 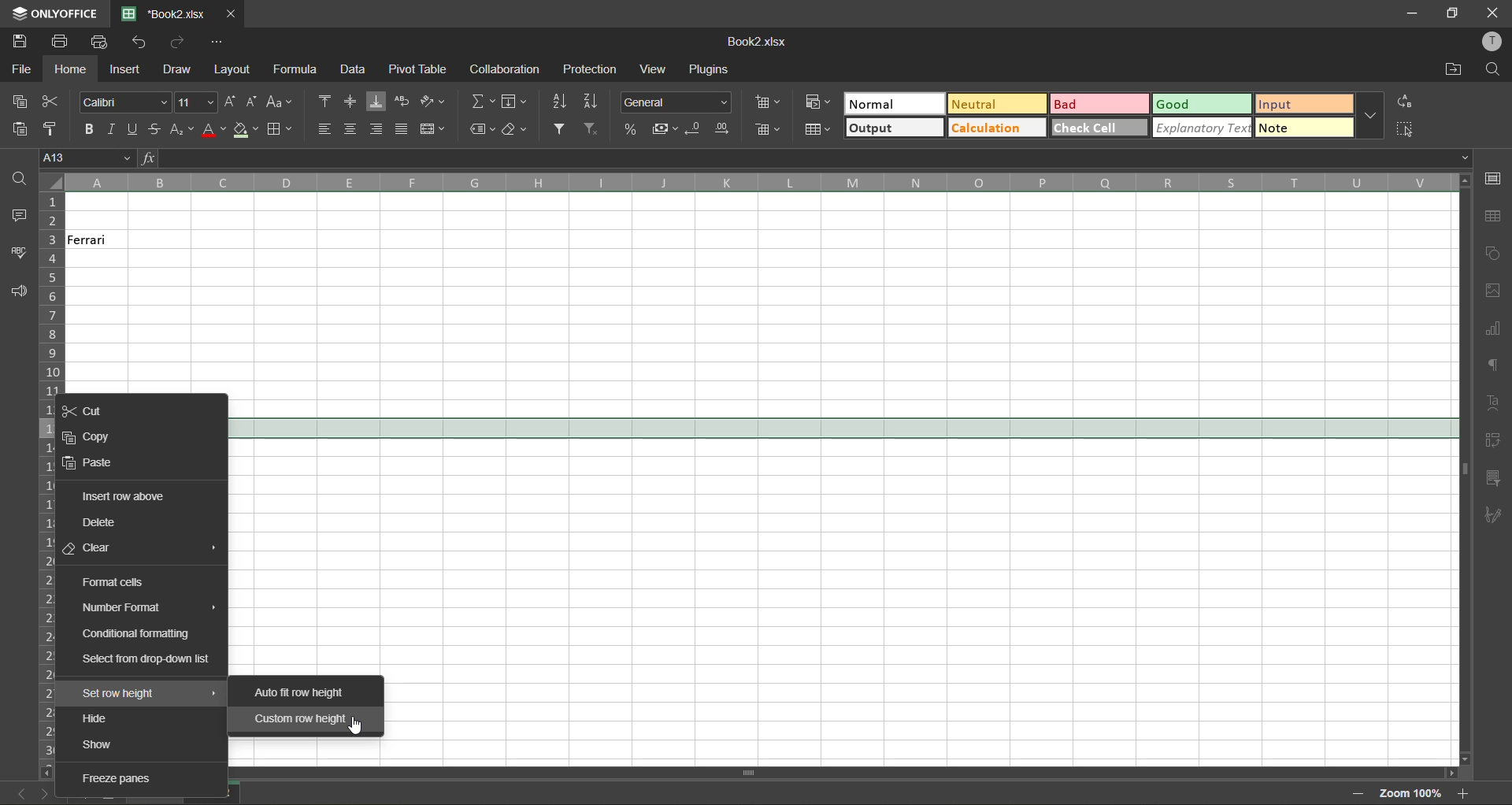 I want to click on calculation, so click(x=997, y=128).